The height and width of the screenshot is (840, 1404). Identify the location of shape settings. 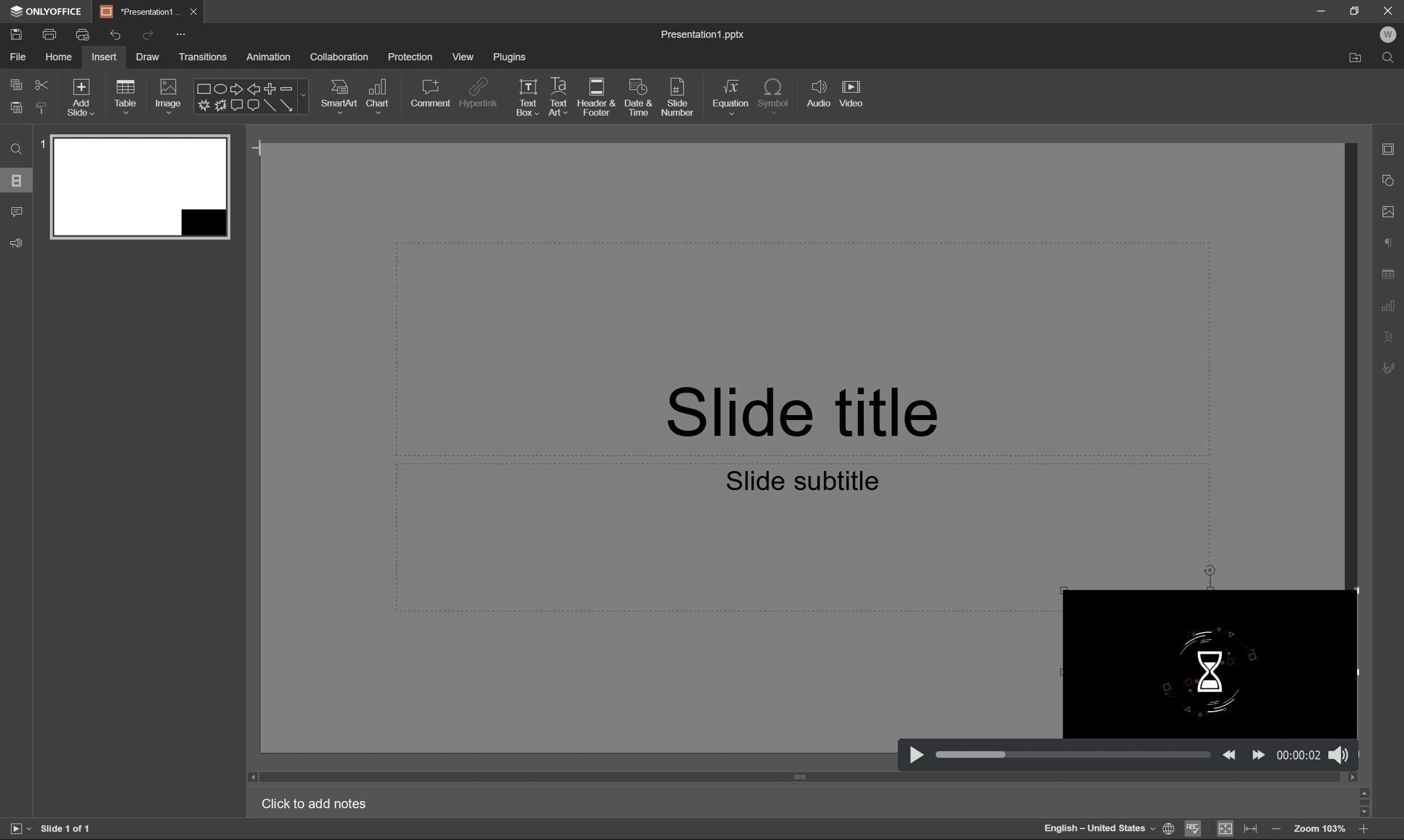
(1390, 179).